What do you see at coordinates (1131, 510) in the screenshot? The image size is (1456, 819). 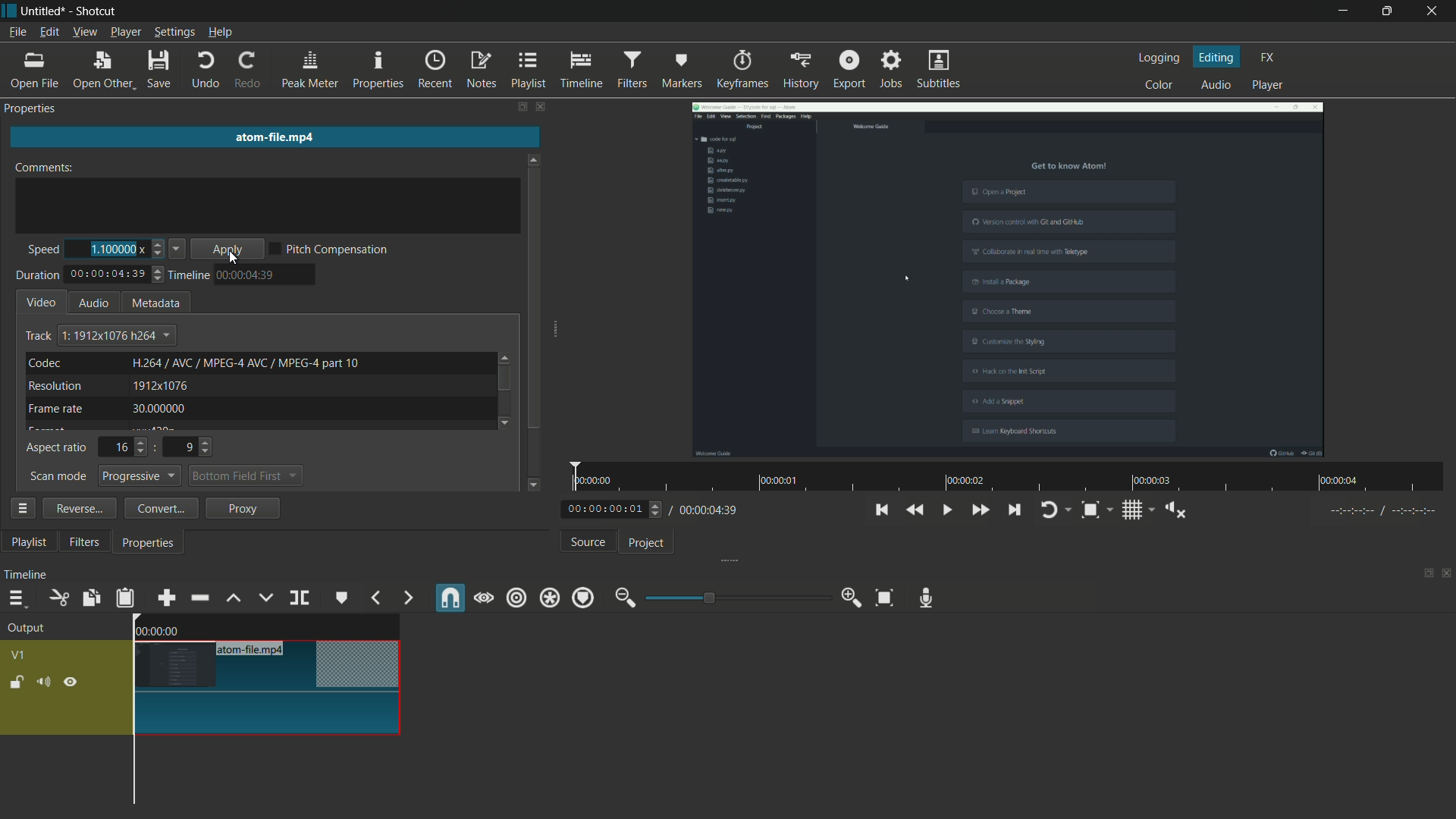 I see `toggle grid` at bounding box center [1131, 510].